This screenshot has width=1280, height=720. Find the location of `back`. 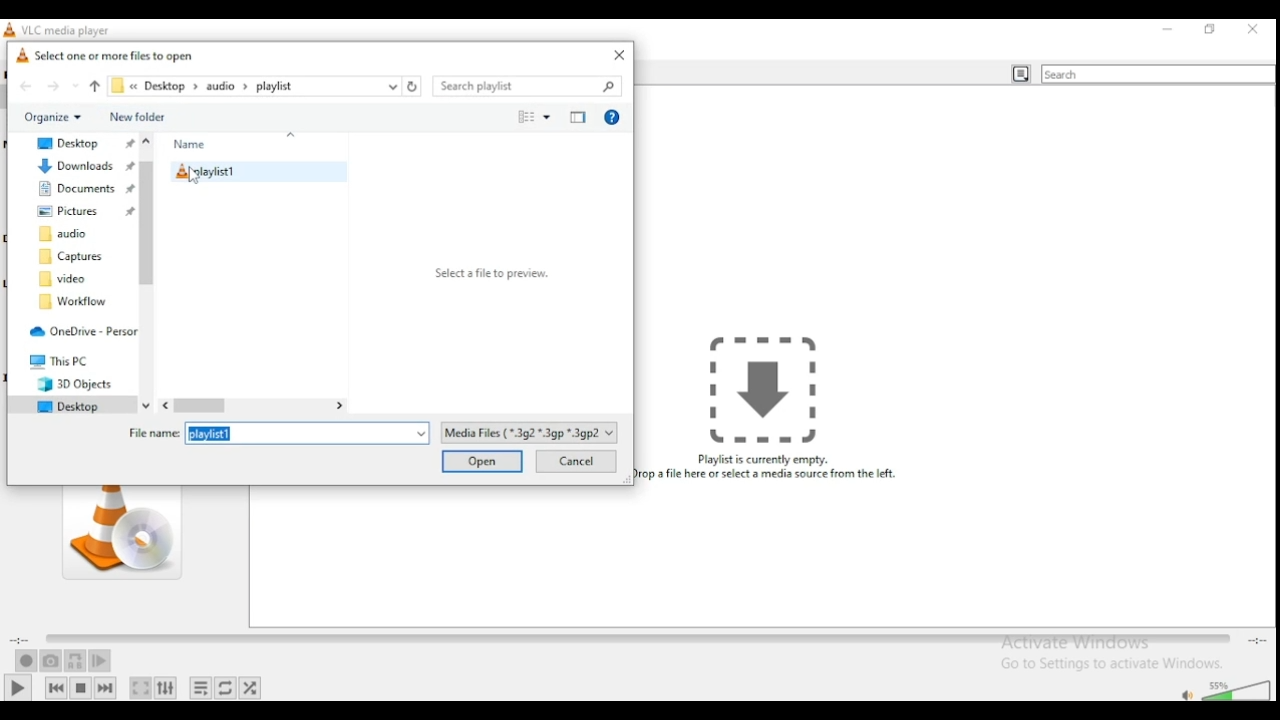

back is located at coordinates (28, 88).